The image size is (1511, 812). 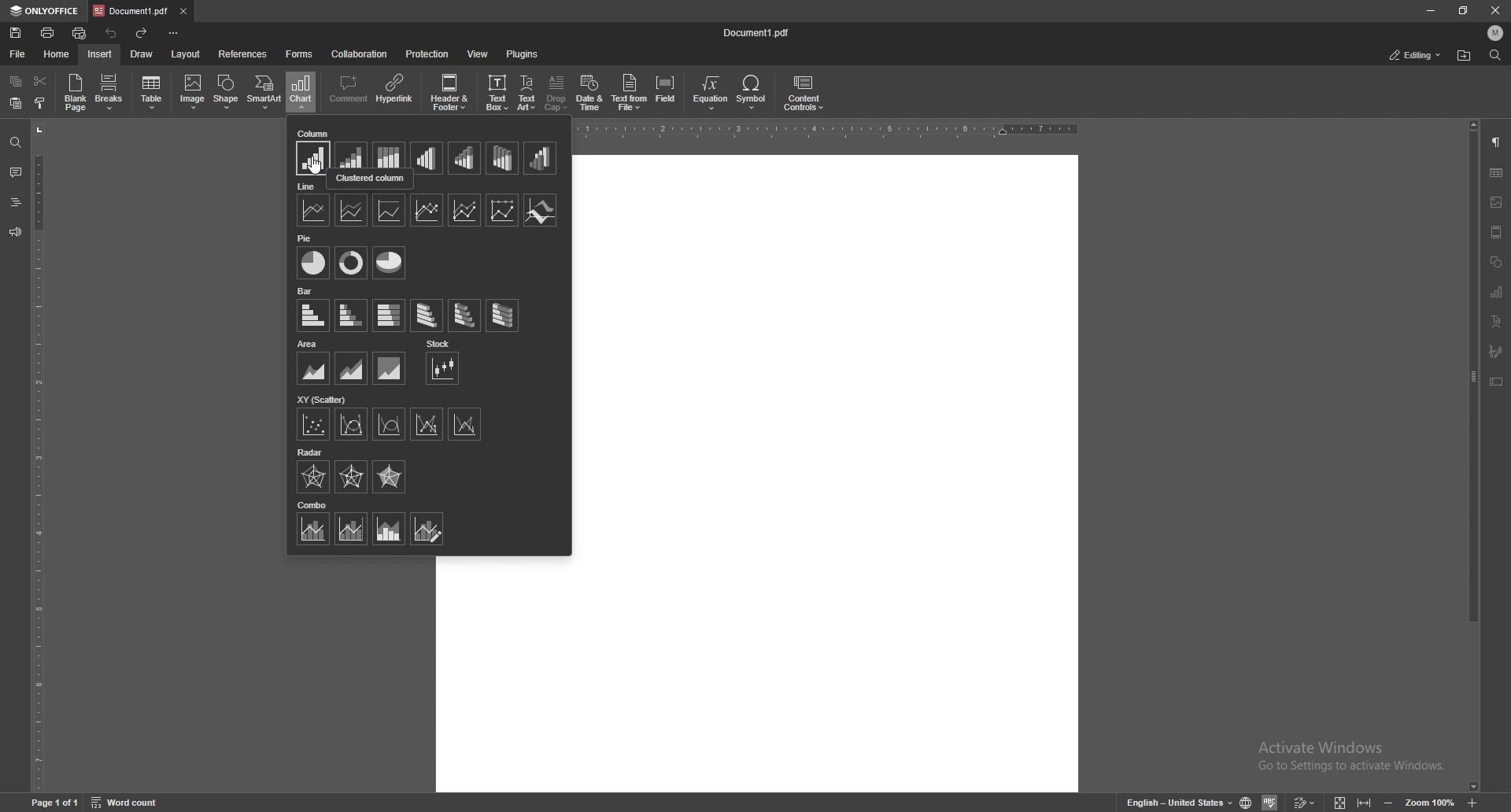 I want to click on 3-D clustered column, so click(x=427, y=158).